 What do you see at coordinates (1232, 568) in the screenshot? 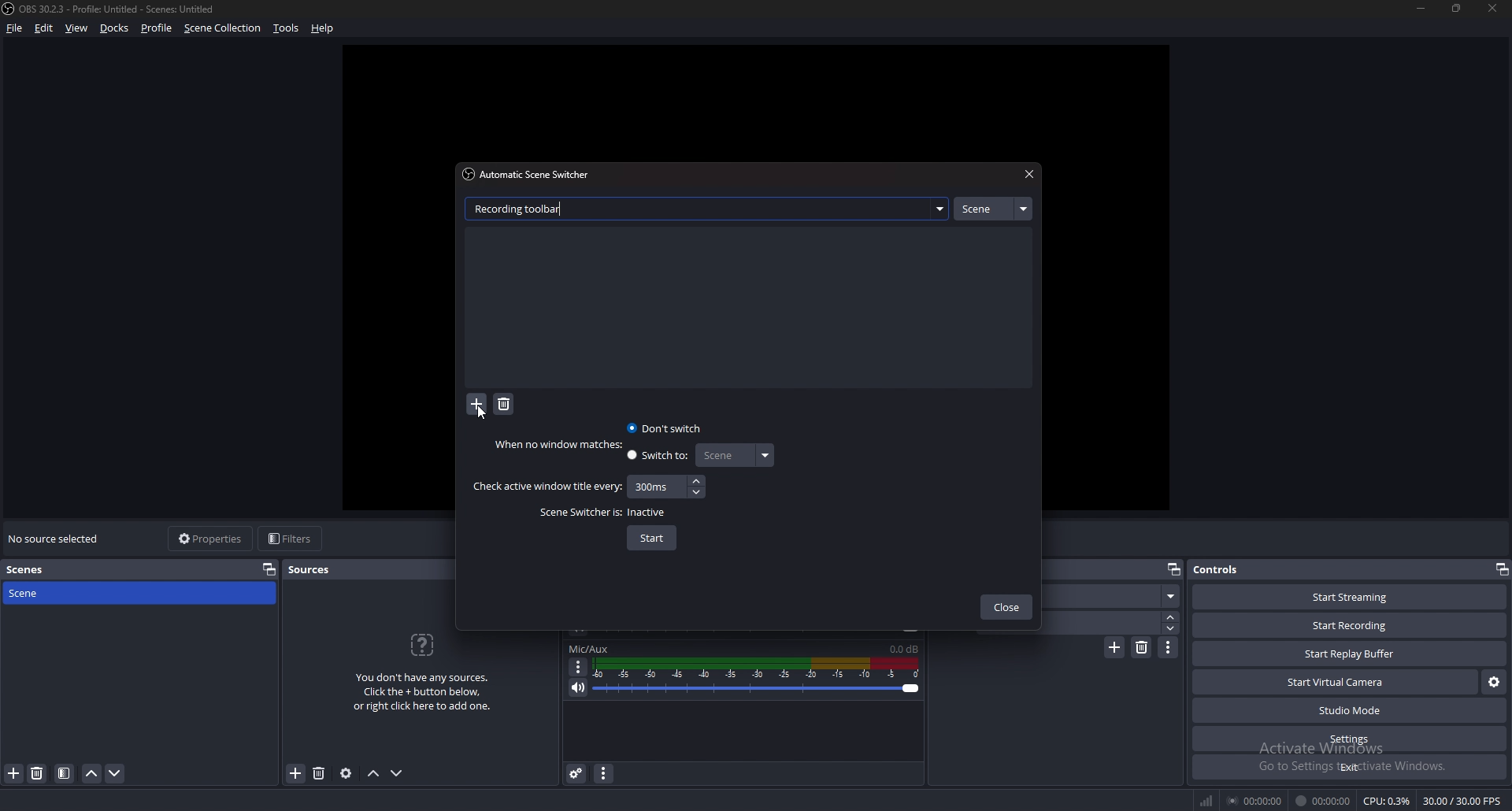
I see `controls` at bounding box center [1232, 568].